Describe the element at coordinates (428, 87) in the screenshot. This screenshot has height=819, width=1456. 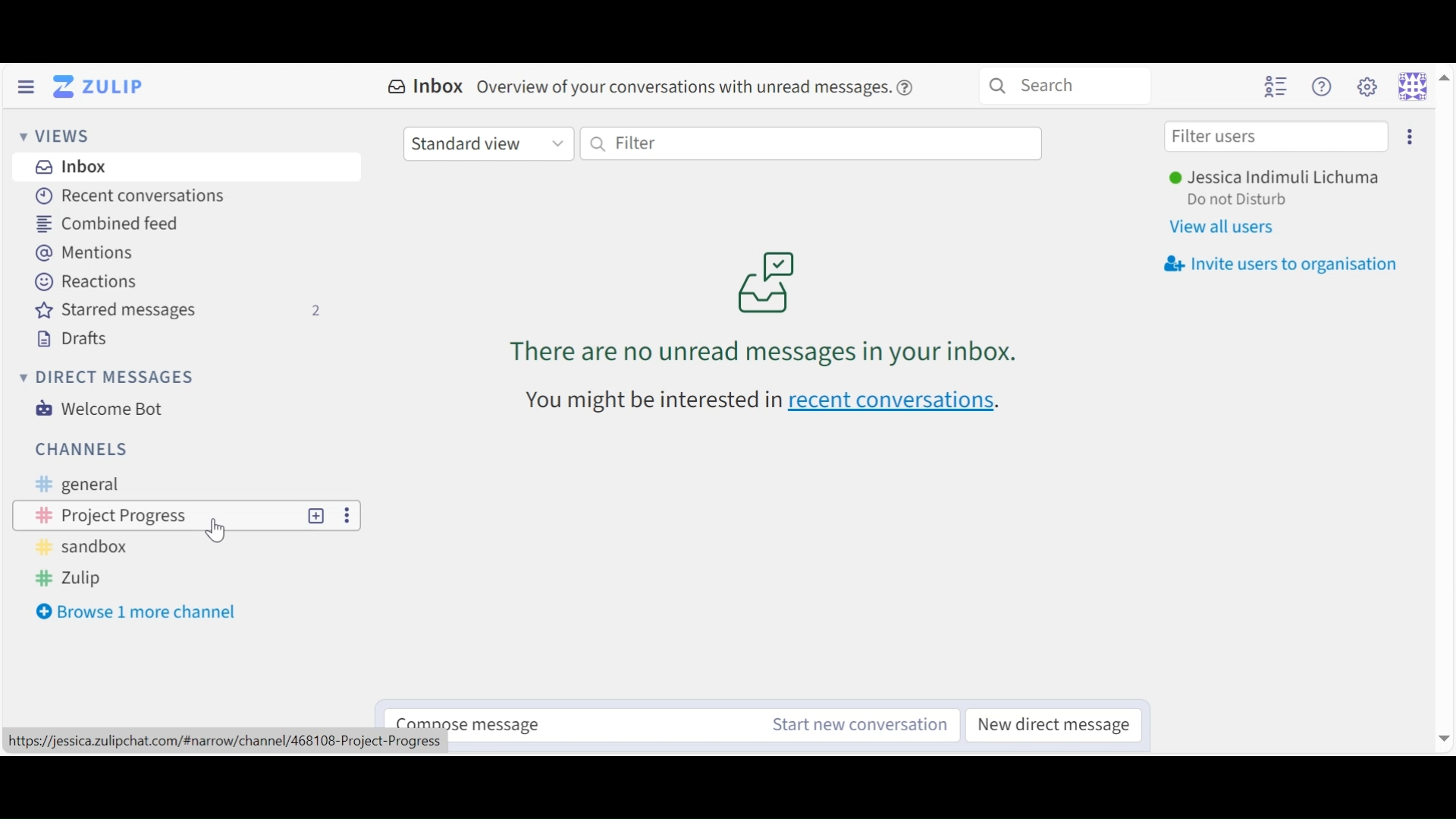
I see `Inbox` at that location.